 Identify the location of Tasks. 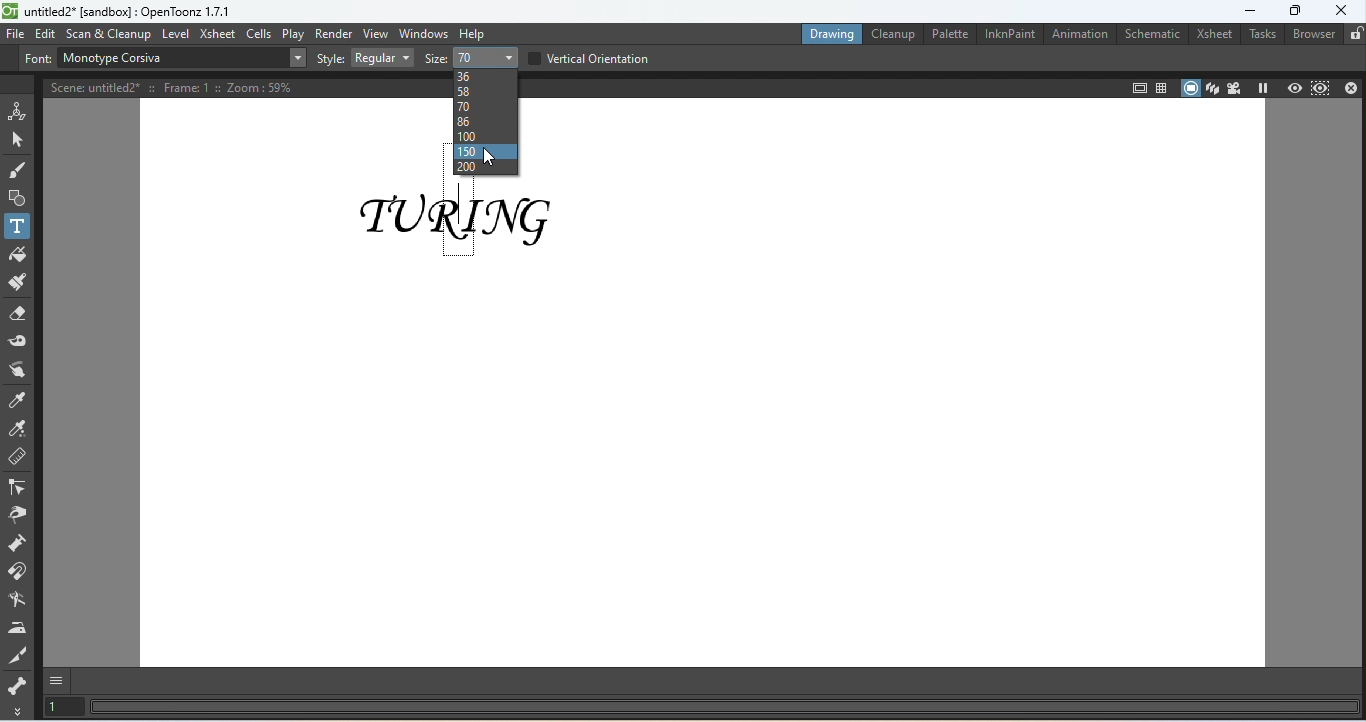
(1260, 35).